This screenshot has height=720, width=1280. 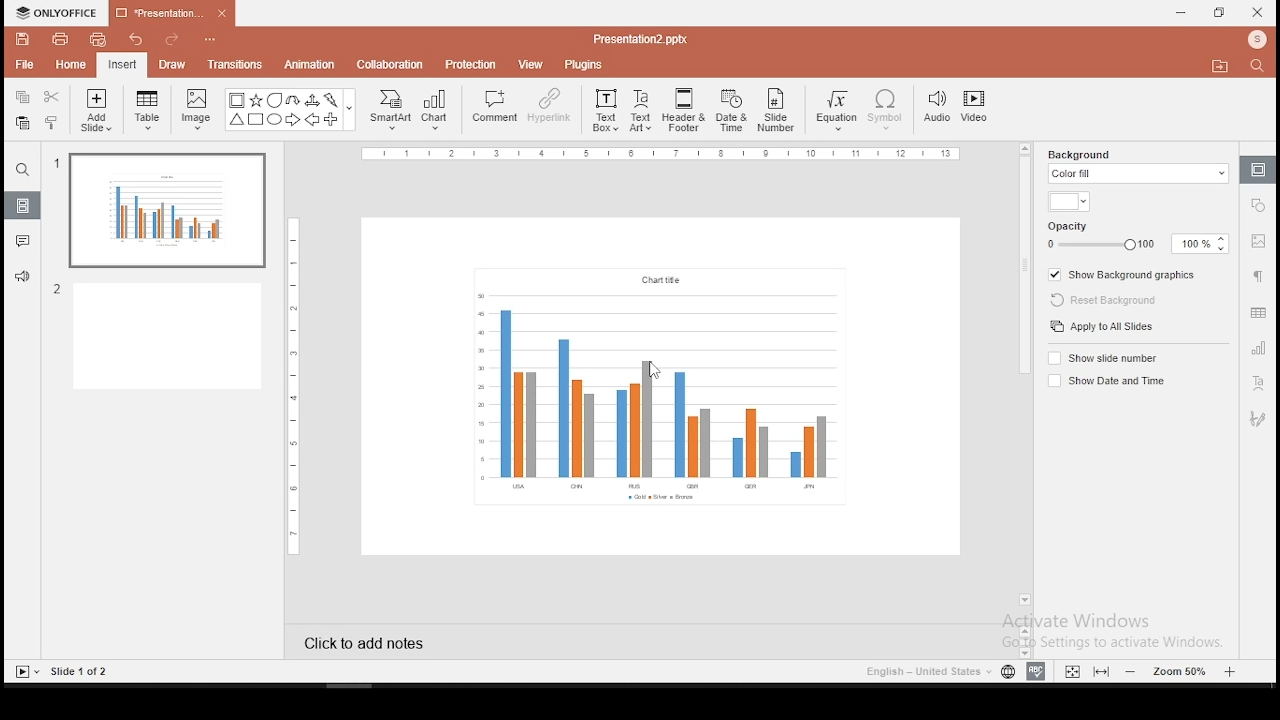 I want to click on restore, so click(x=1219, y=12).